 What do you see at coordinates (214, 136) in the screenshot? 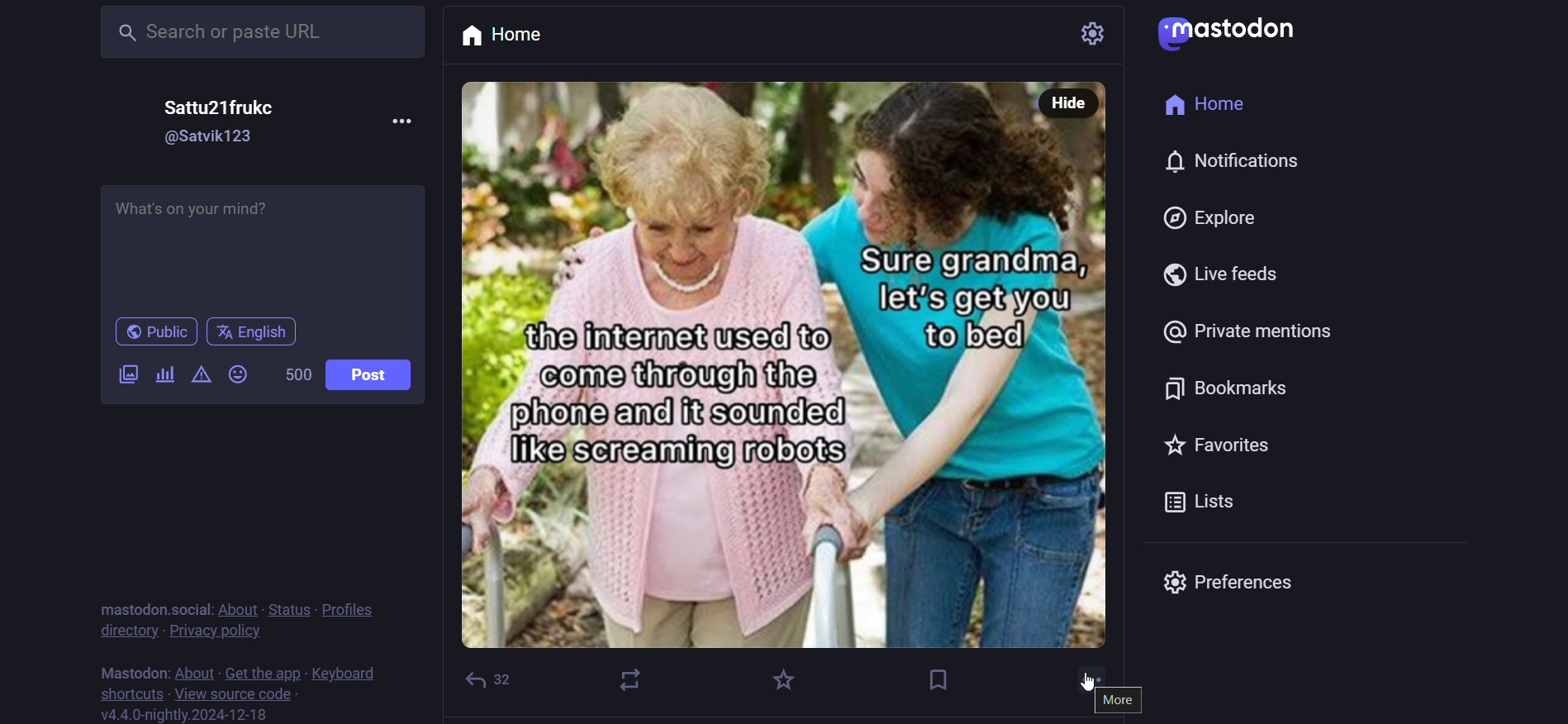
I see `@satvik123` at bounding box center [214, 136].